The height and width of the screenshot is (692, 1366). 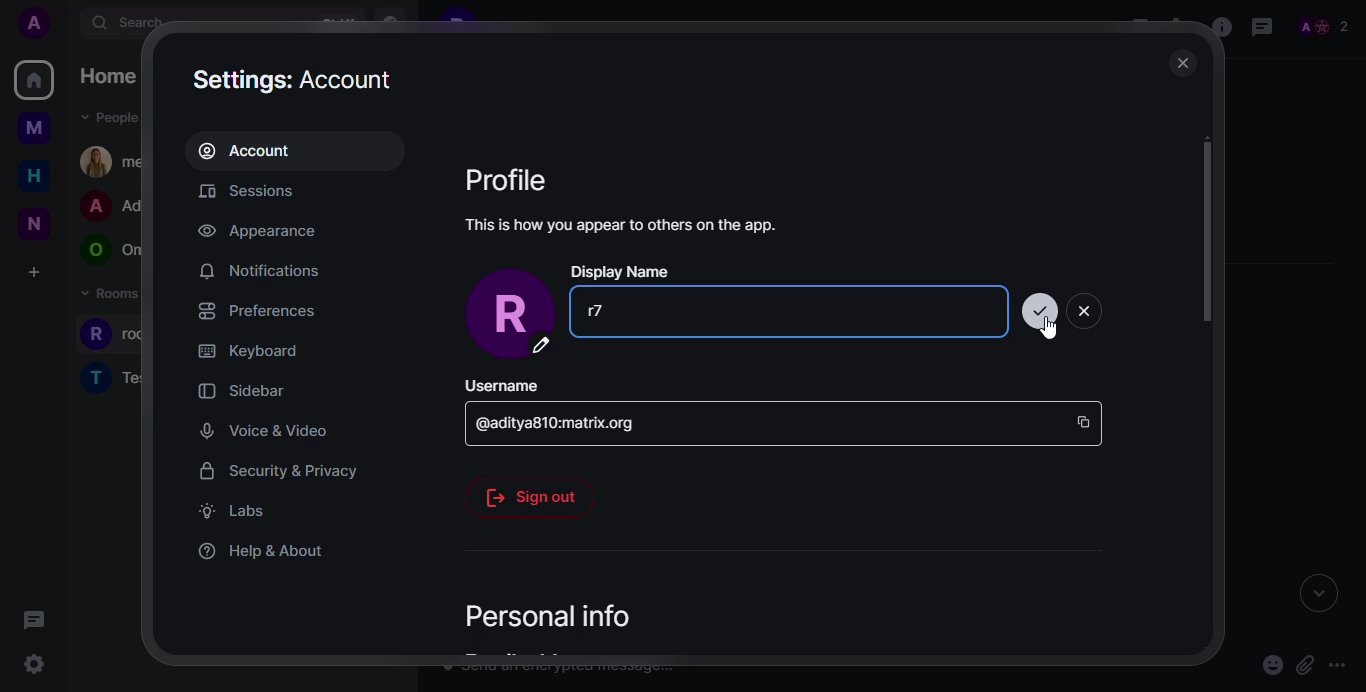 What do you see at coordinates (741, 427) in the screenshot?
I see `id space bar` at bounding box center [741, 427].